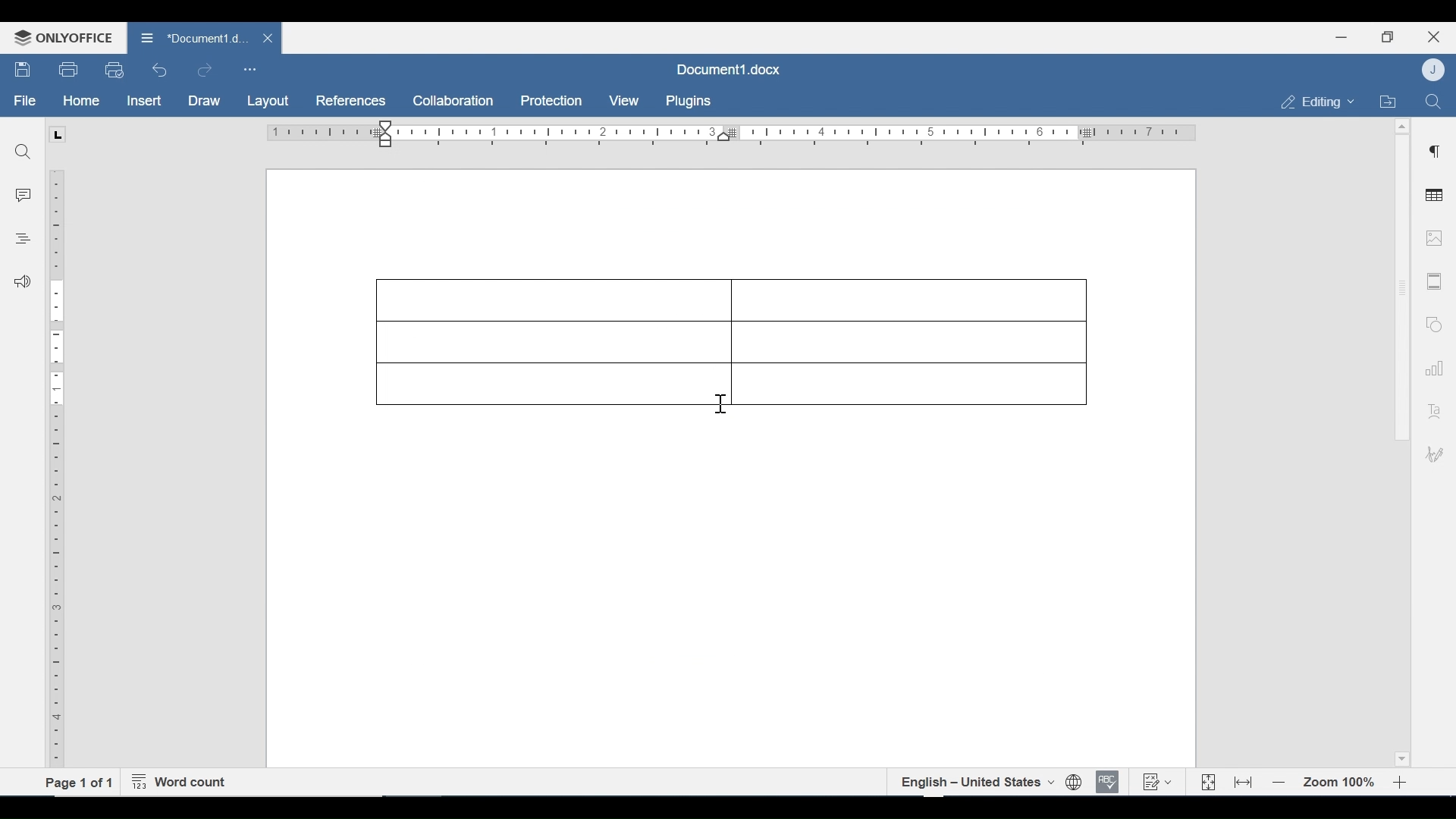 The image size is (1456, 819). I want to click on Save, so click(24, 70).